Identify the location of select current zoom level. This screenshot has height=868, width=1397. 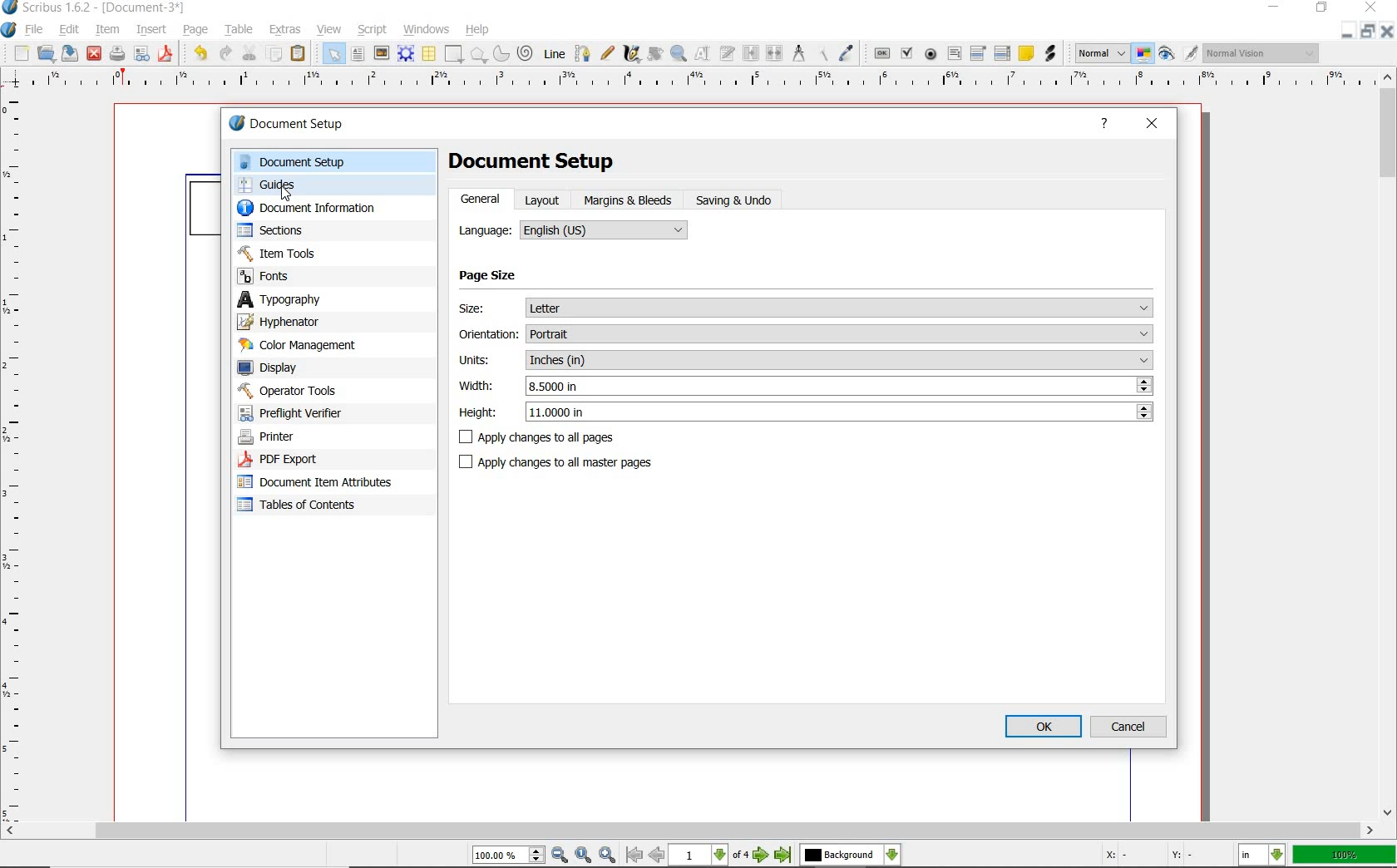
(510, 855).